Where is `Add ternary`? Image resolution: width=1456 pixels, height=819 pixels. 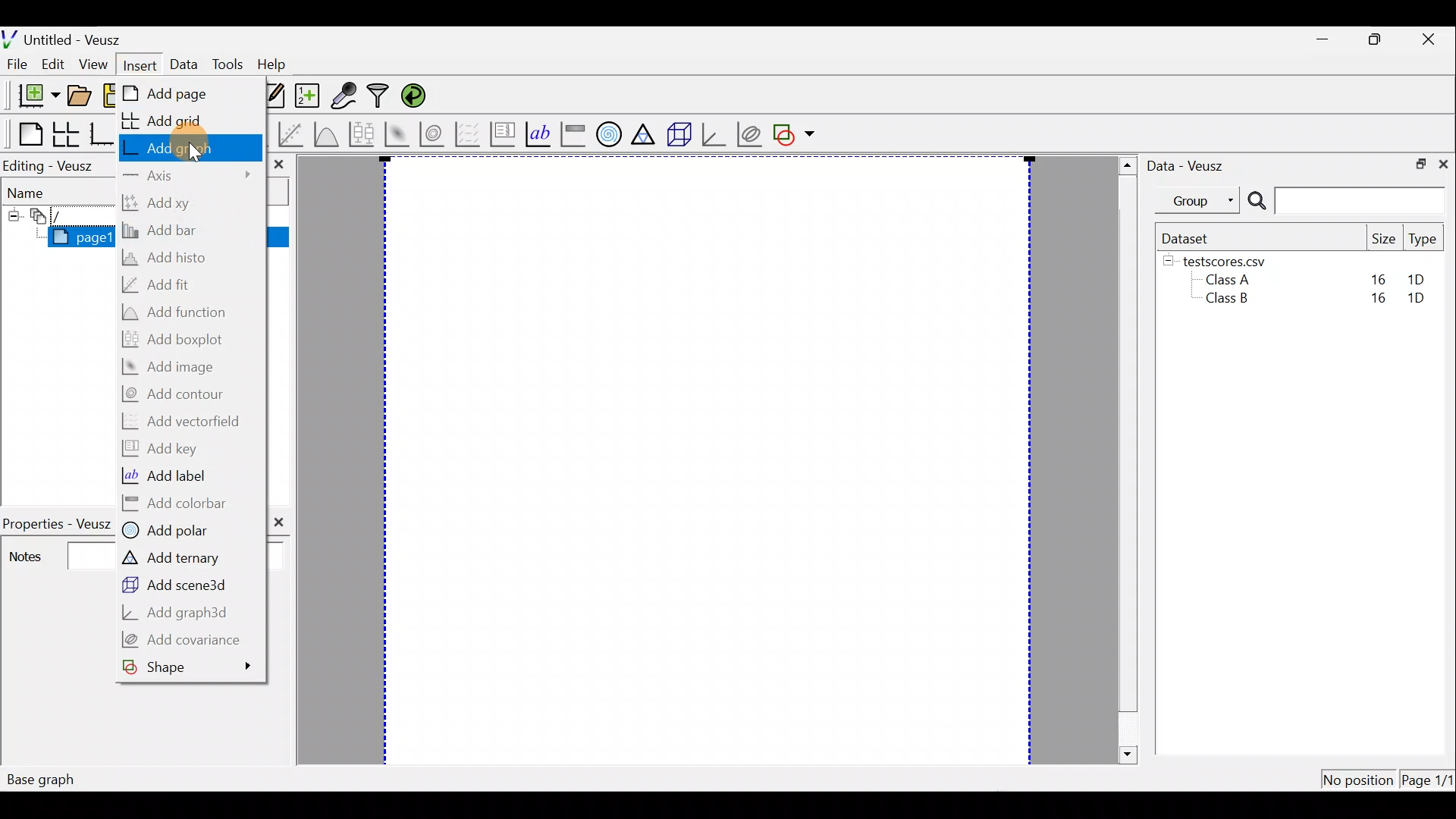
Add ternary is located at coordinates (172, 557).